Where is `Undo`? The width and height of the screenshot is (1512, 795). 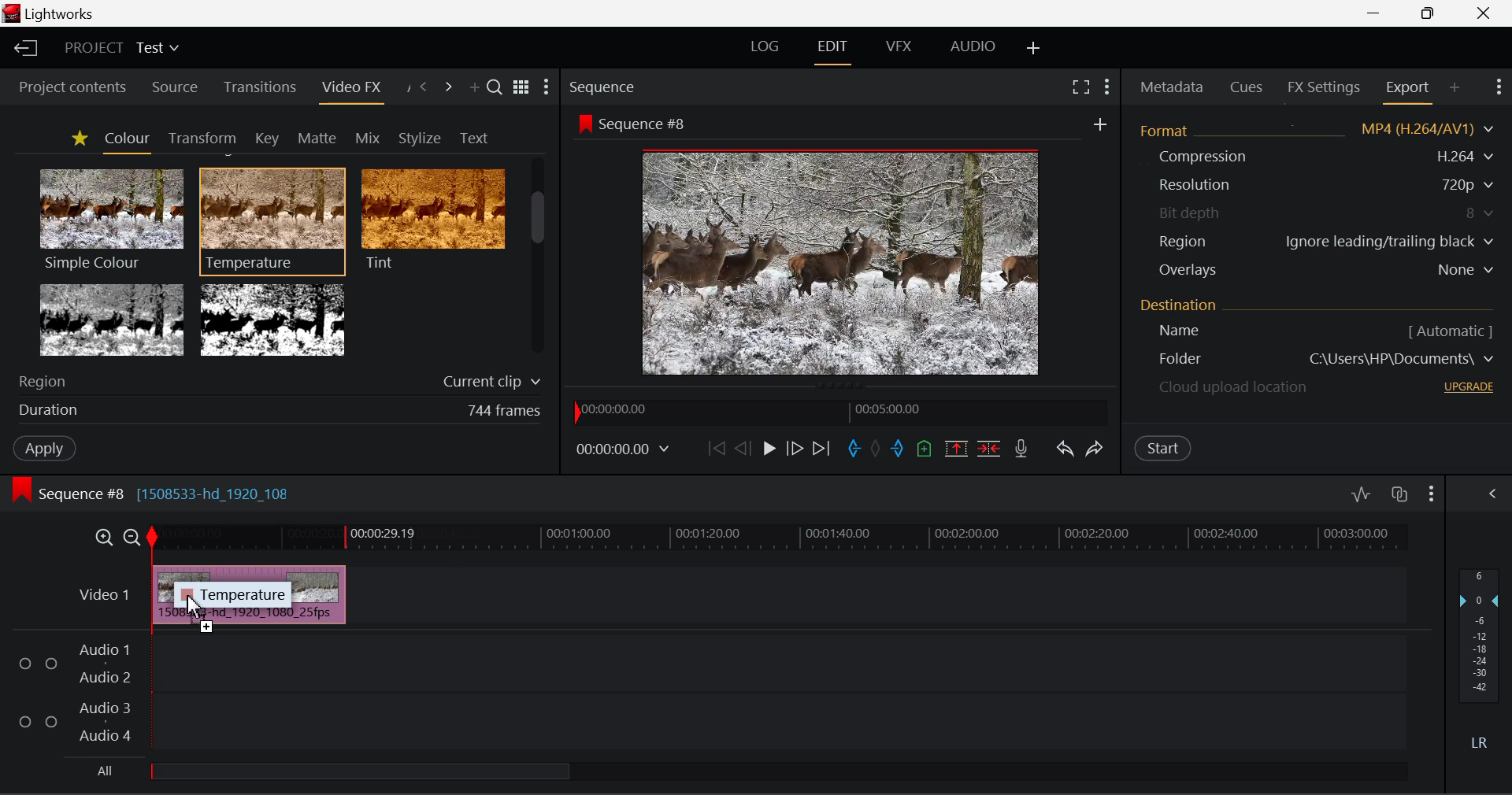 Undo is located at coordinates (1063, 448).